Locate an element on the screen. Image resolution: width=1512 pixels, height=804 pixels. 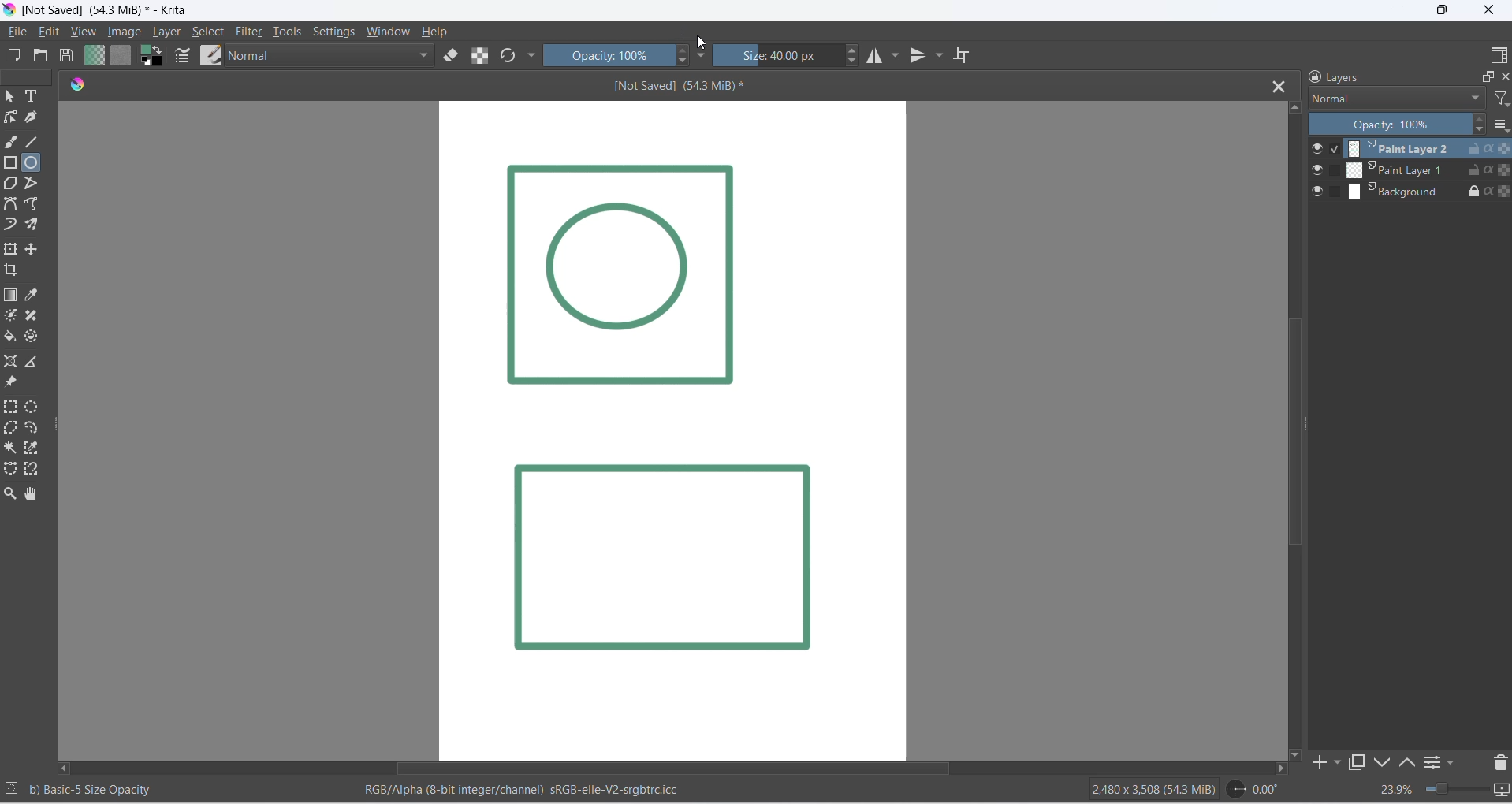
visibility is located at coordinates (1318, 149).